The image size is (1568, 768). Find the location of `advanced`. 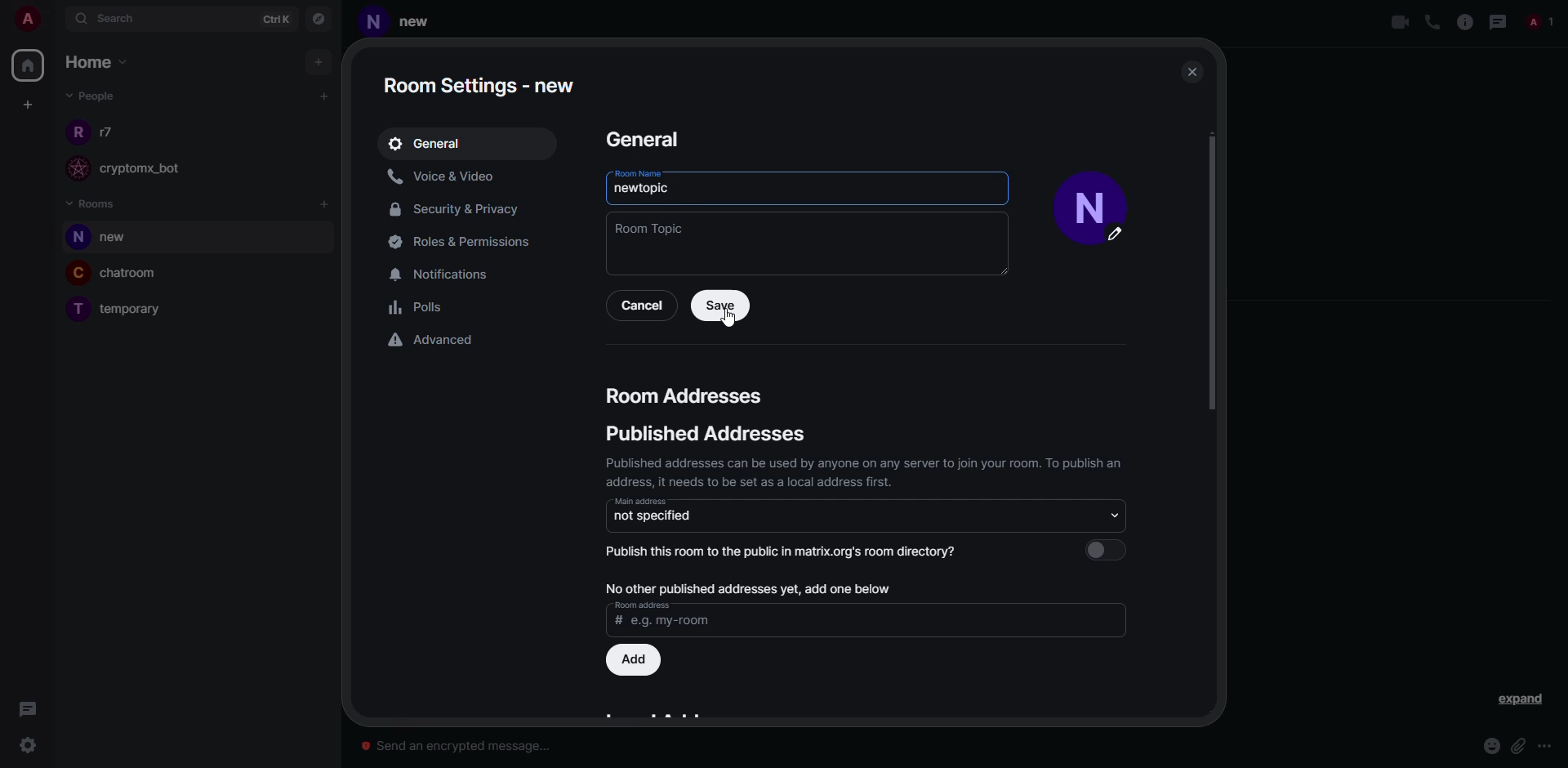

advanced is located at coordinates (434, 339).